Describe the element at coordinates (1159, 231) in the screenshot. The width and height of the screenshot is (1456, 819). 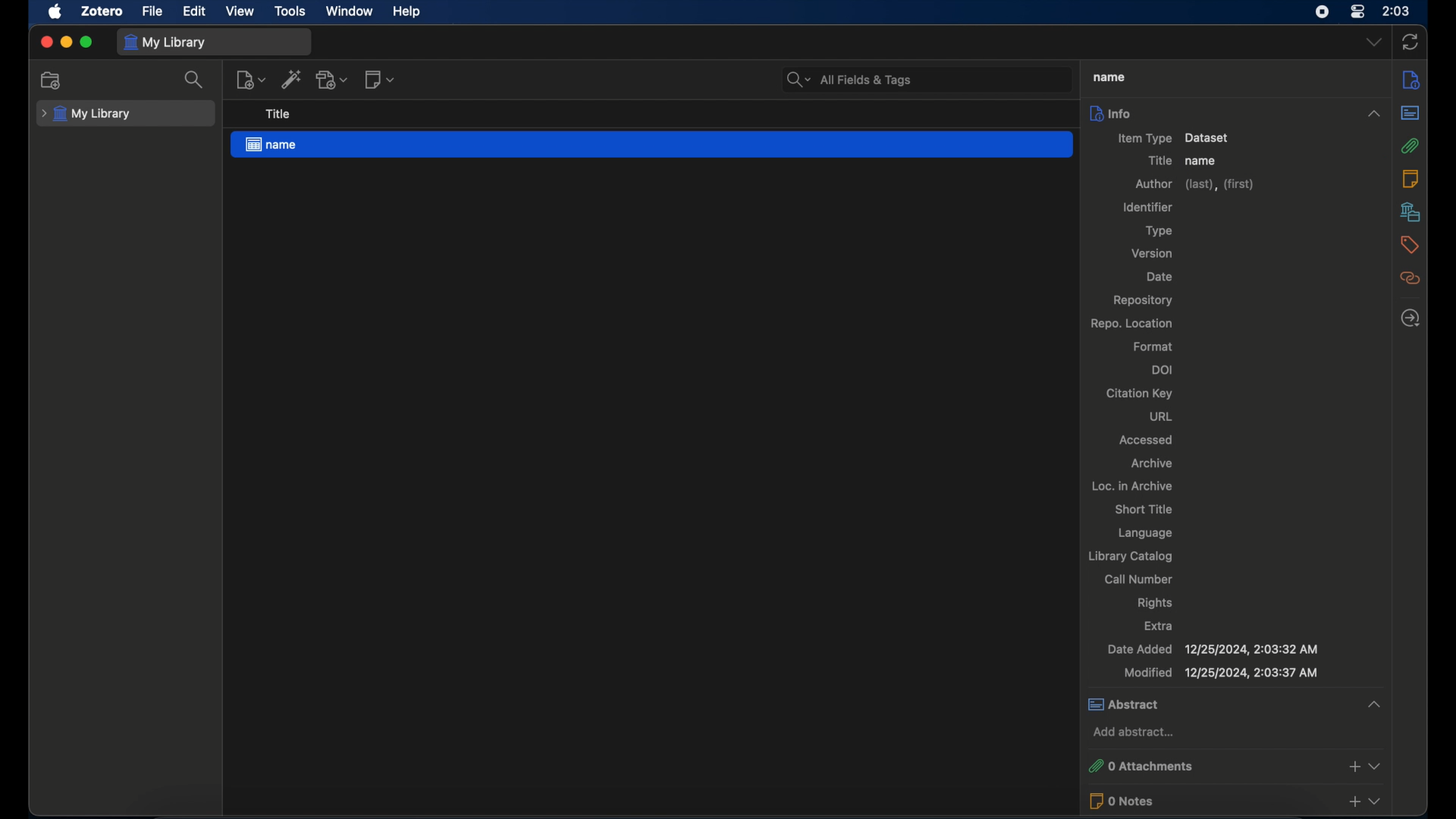
I see `type` at that location.